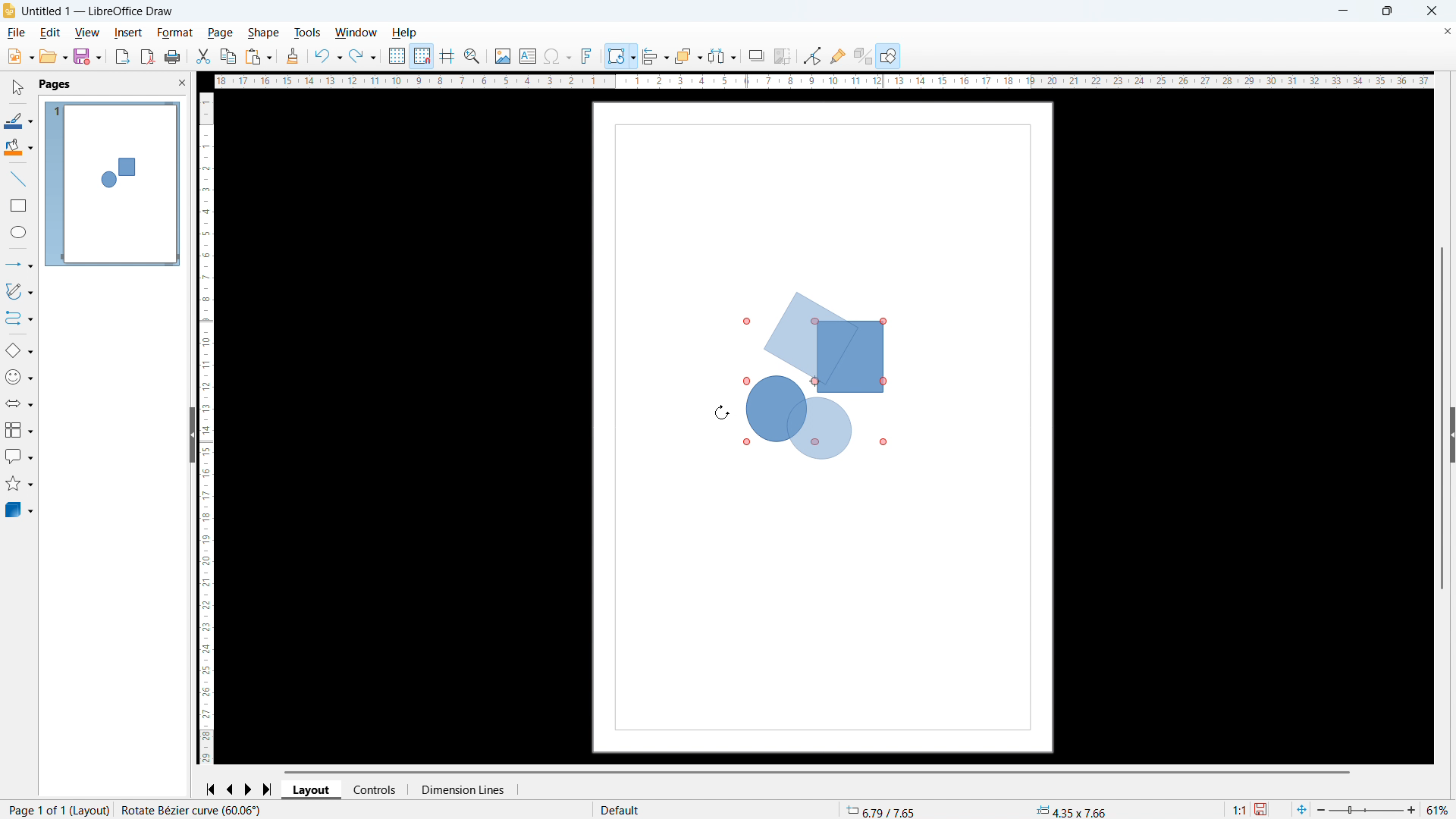 The image size is (1456, 819). I want to click on line , so click(18, 178).